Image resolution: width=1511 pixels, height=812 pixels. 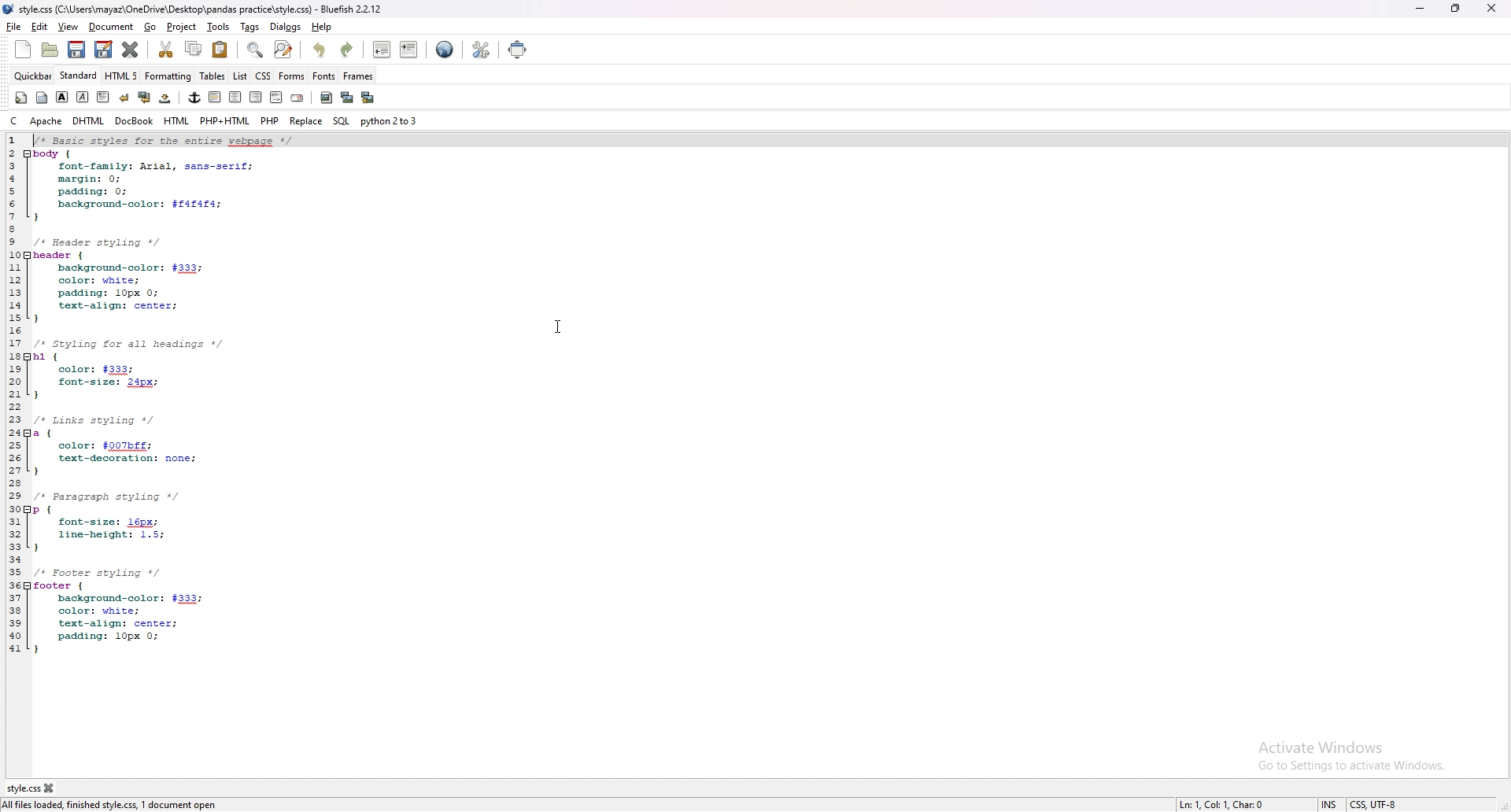 What do you see at coordinates (292, 76) in the screenshot?
I see `forms` at bounding box center [292, 76].